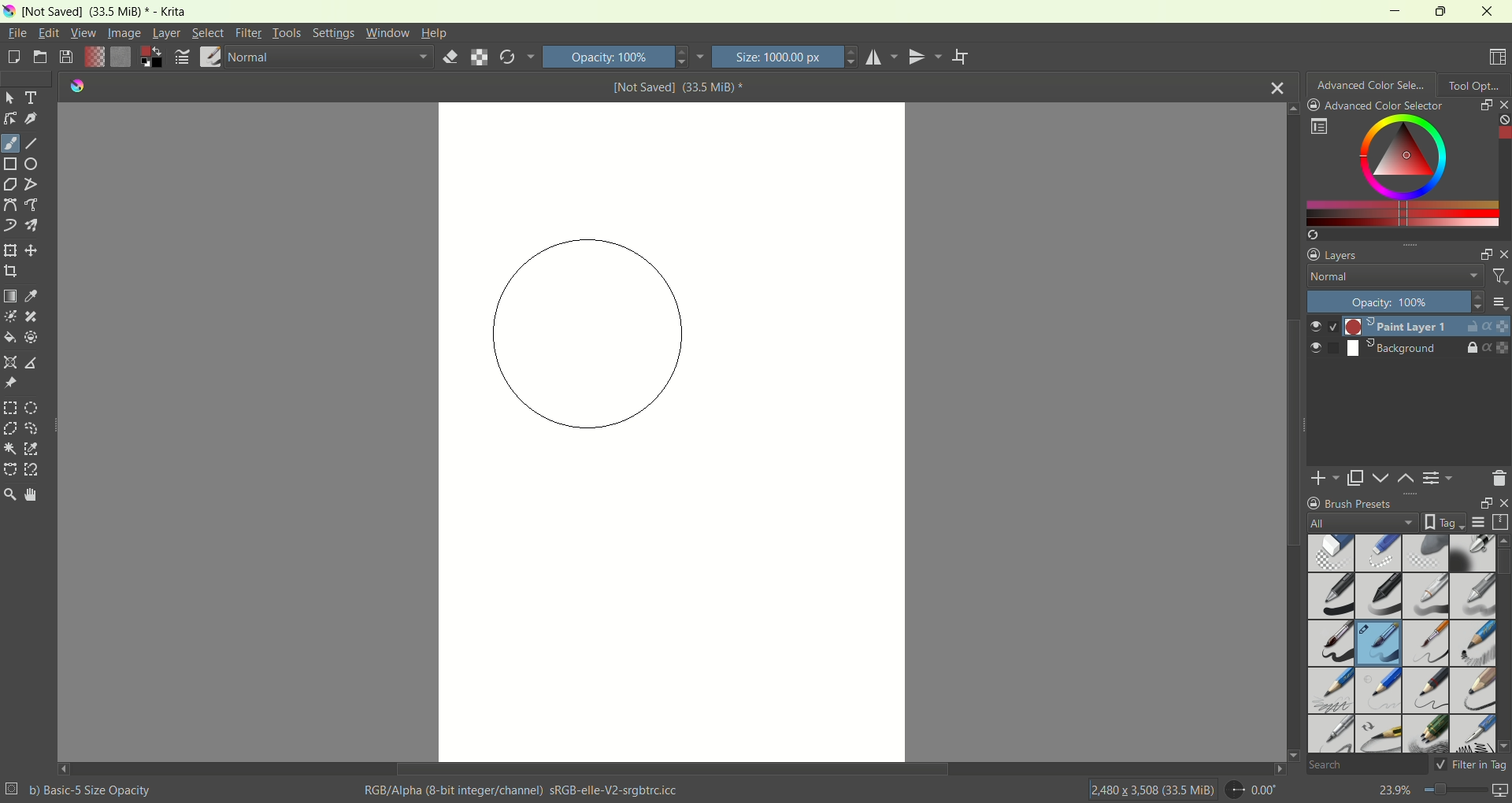  Describe the element at coordinates (1438, 11) in the screenshot. I see `maximize` at that location.